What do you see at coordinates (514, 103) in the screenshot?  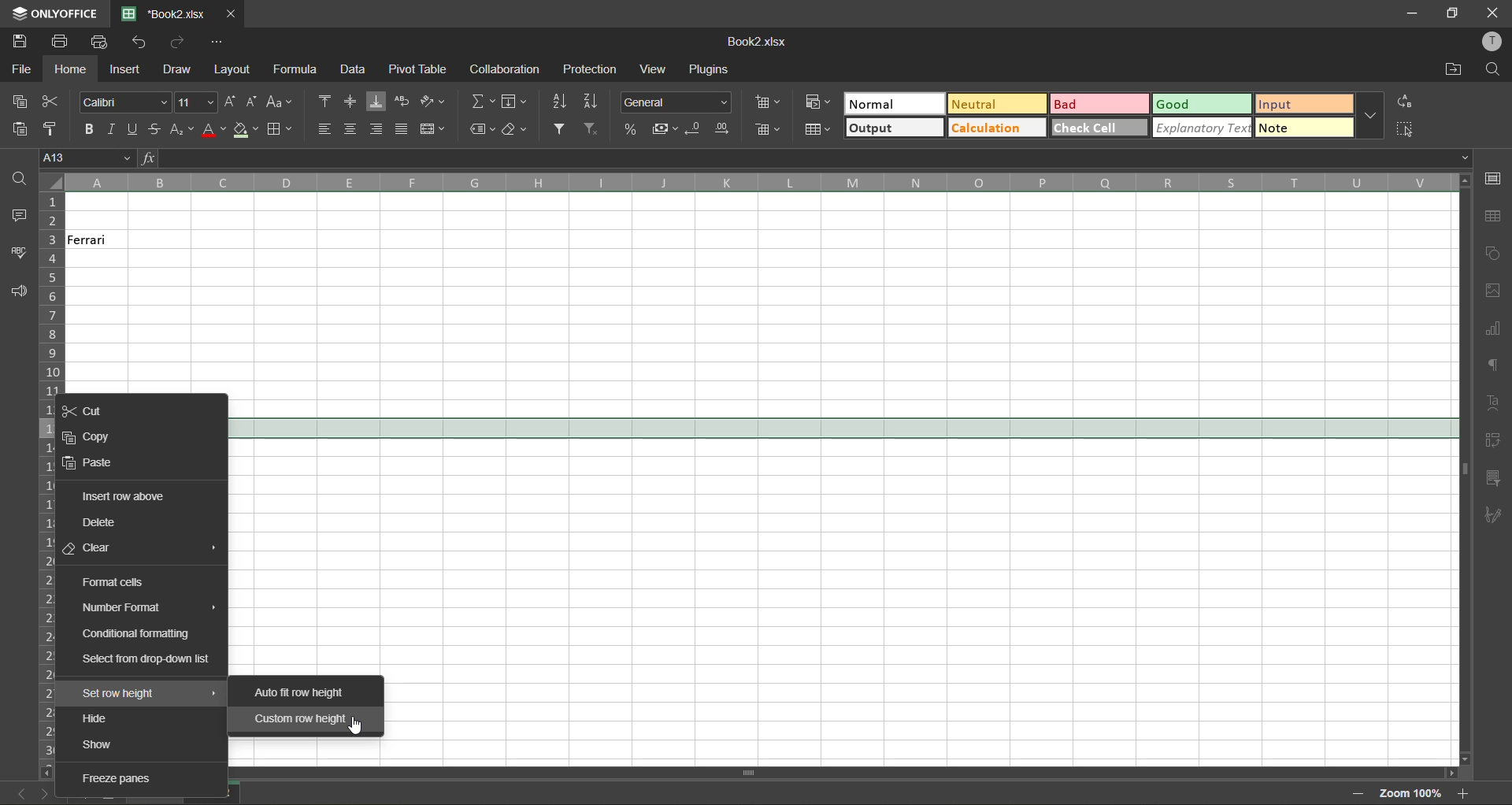 I see `fields` at bounding box center [514, 103].